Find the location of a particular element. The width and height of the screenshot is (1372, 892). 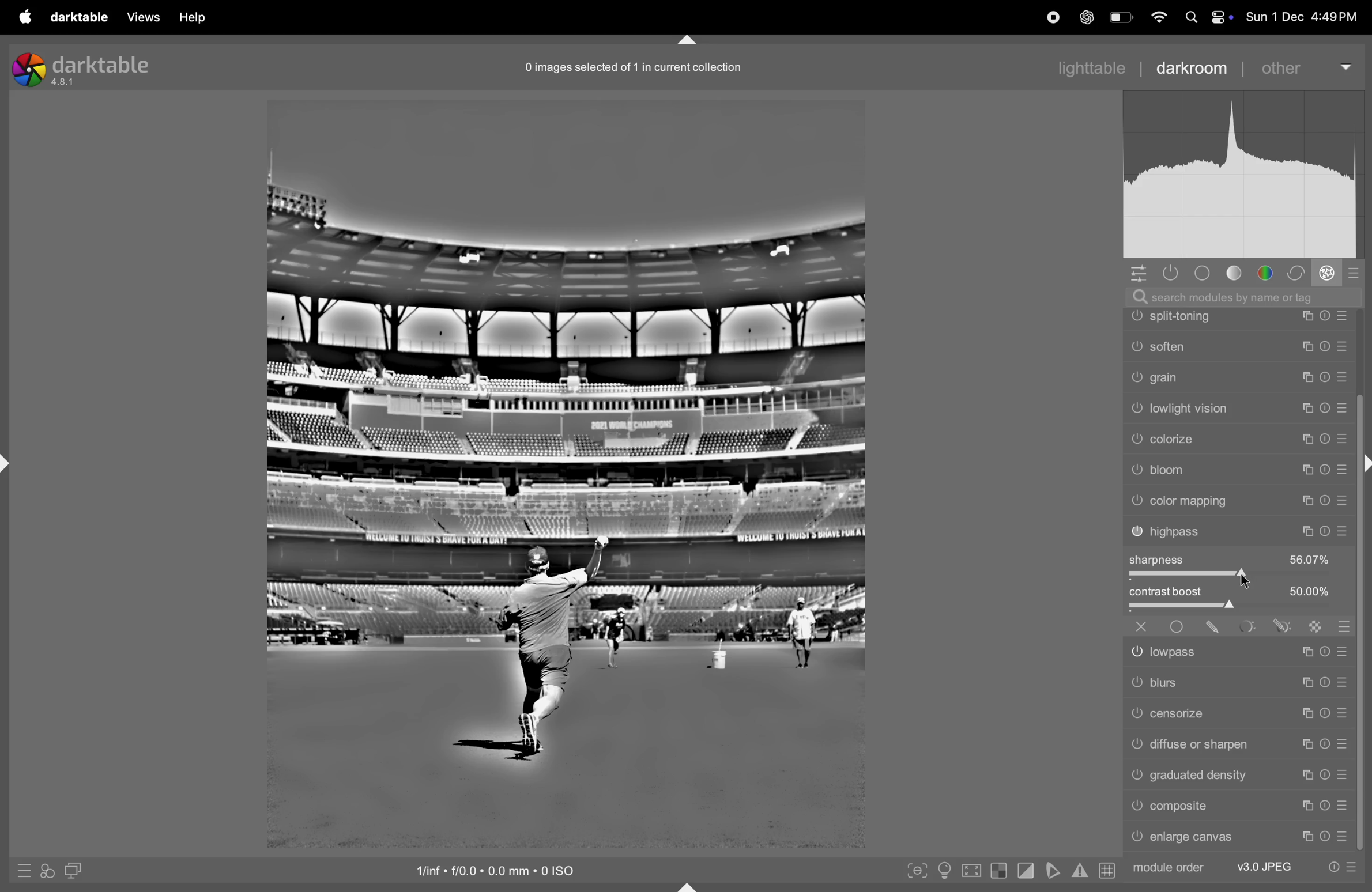

searchbar is located at coordinates (1250, 296).